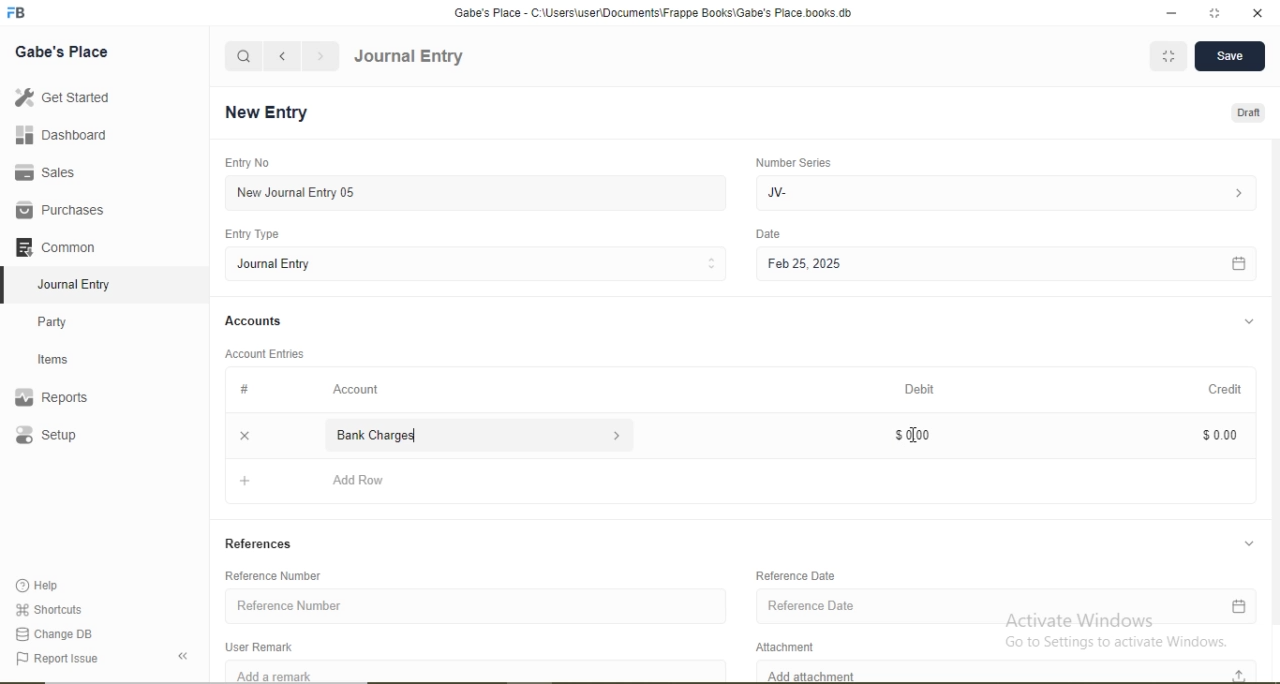 The image size is (1280, 684). Describe the element at coordinates (61, 398) in the screenshot. I see `Reports` at that location.